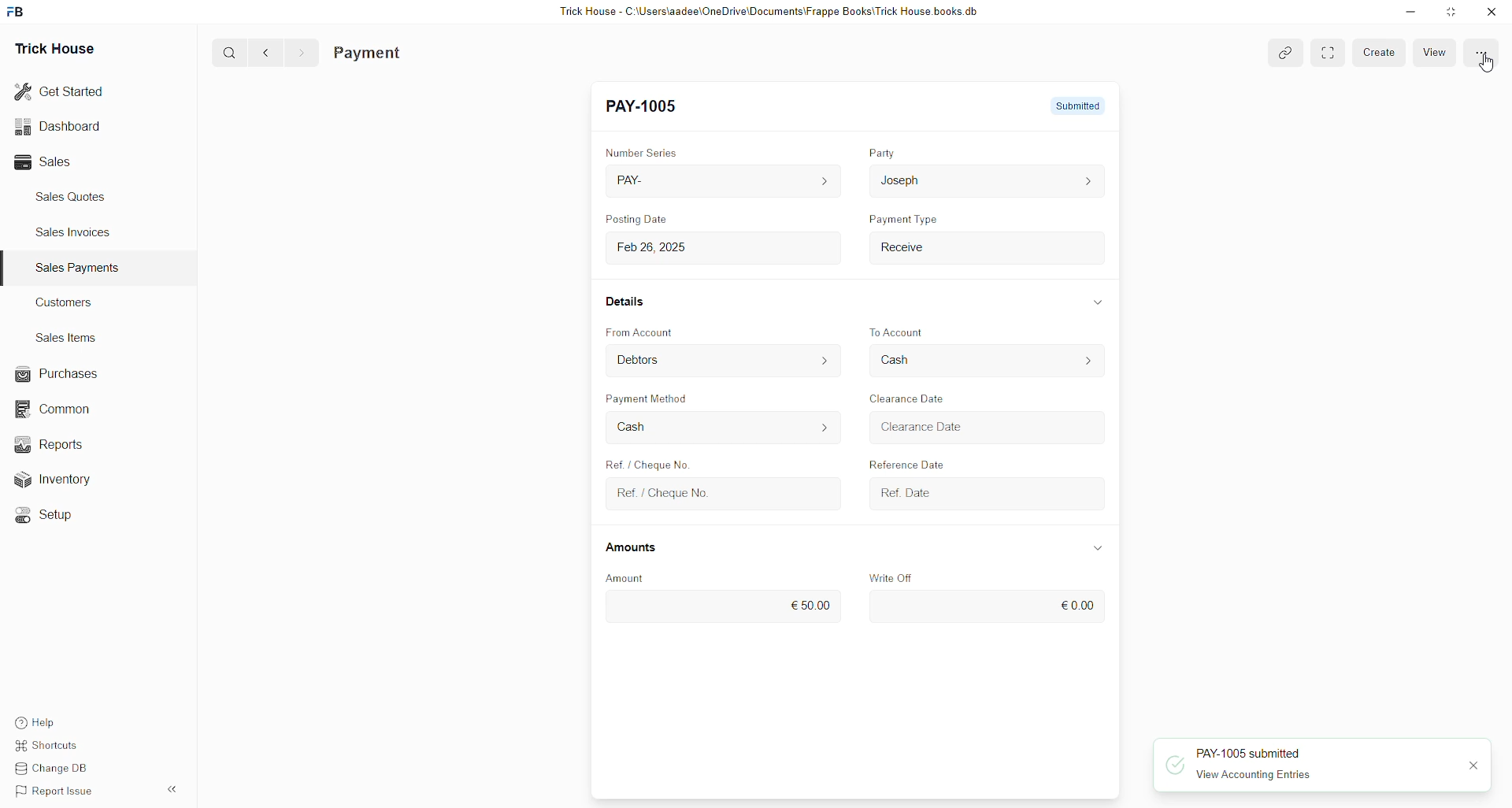  Describe the element at coordinates (302, 54) in the screenshot. I see `Forward` at that location.